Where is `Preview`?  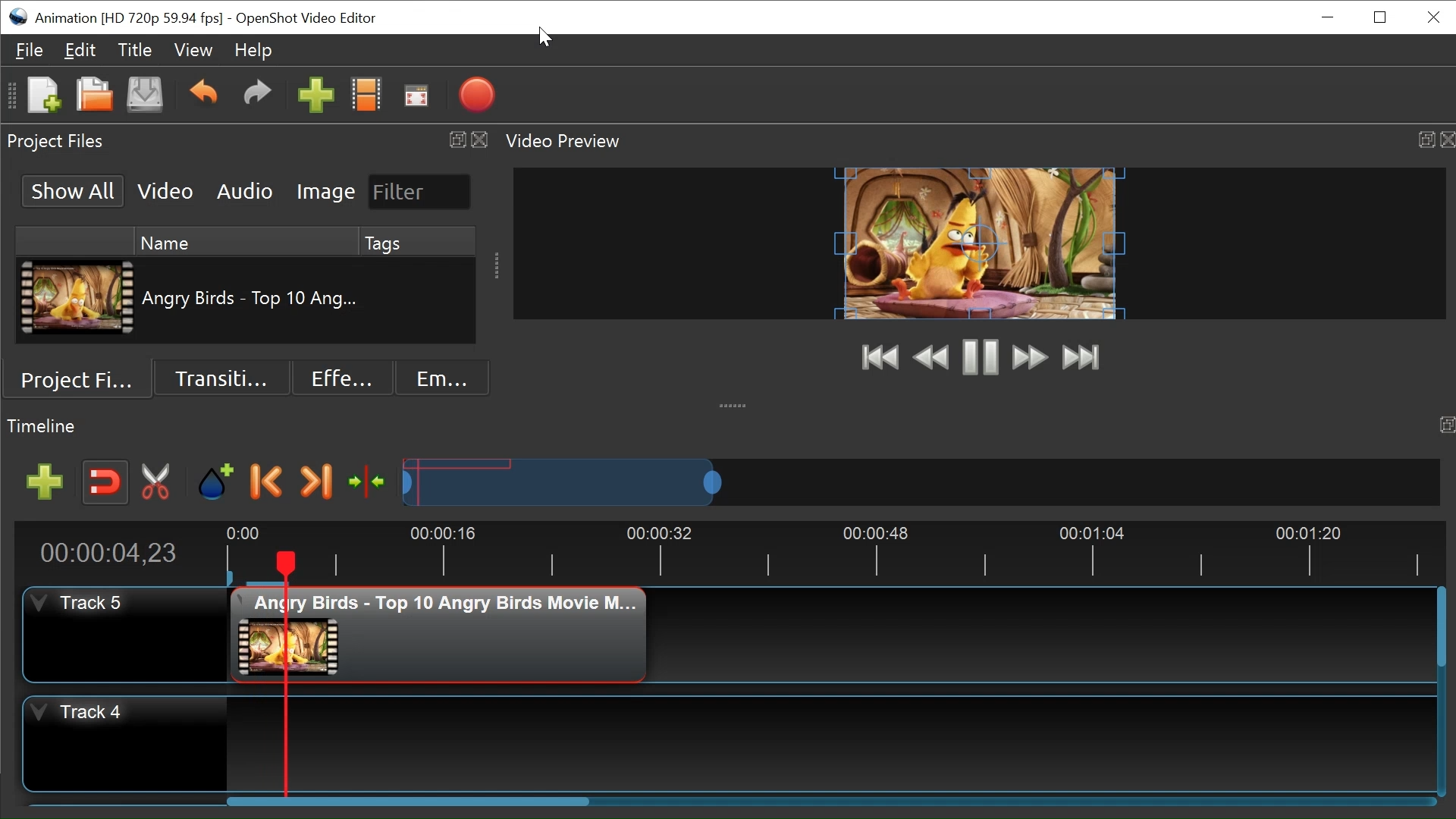
Preview is located at coordinates (930, 359).